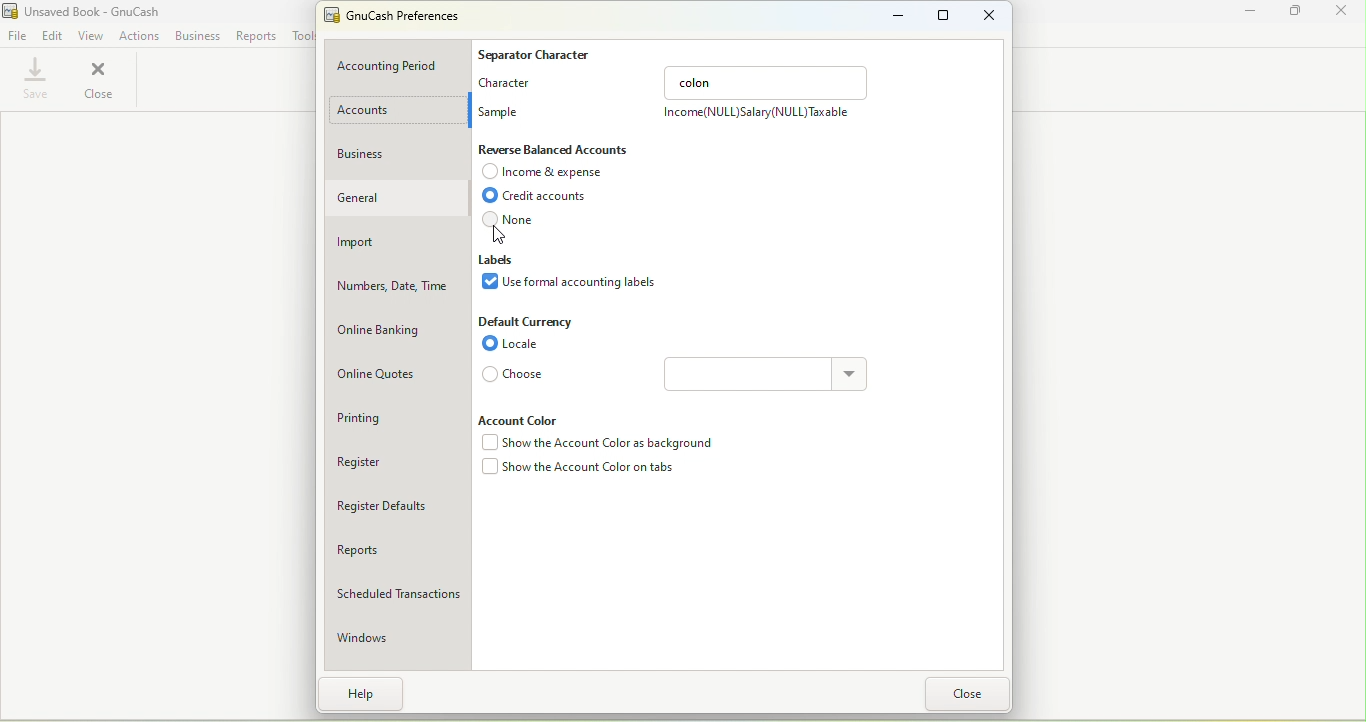 This screenshot has width=1366, height=722. I want to click on Account color, so click(518, 420).